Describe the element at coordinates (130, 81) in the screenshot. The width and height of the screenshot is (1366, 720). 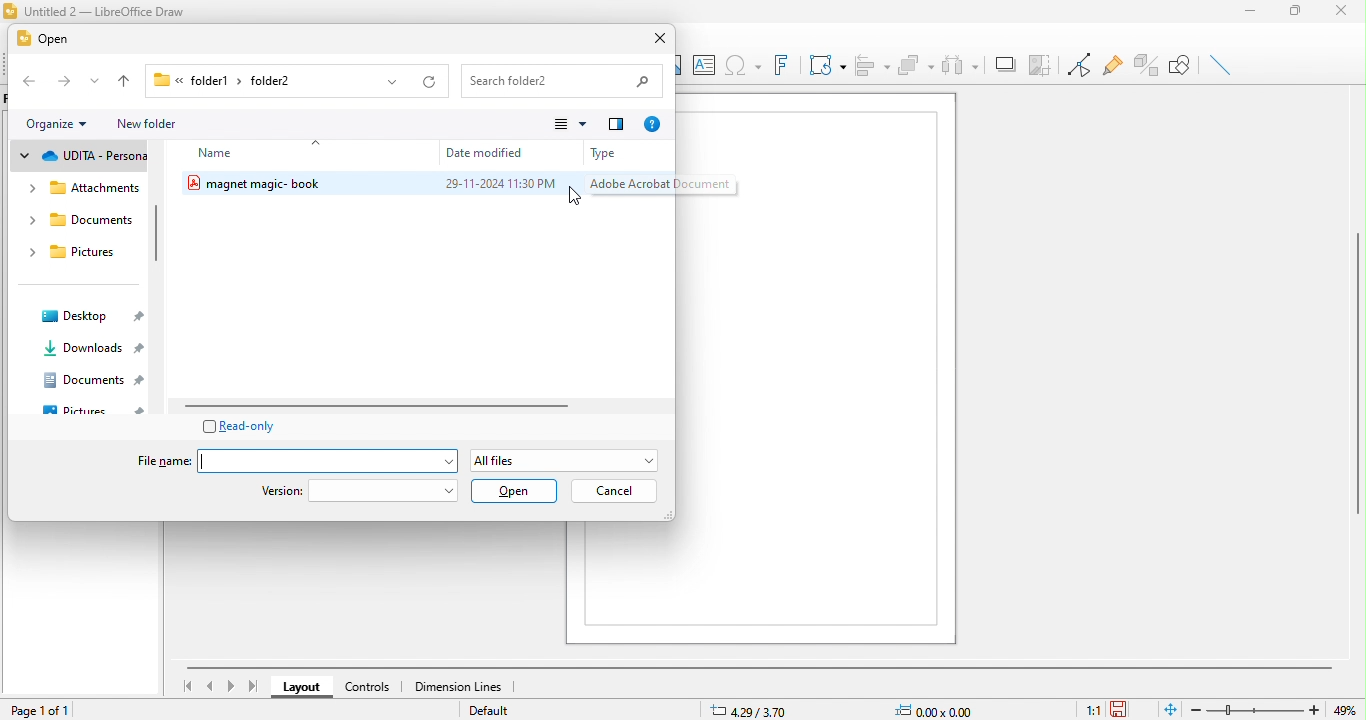
I see `up to` at that location.